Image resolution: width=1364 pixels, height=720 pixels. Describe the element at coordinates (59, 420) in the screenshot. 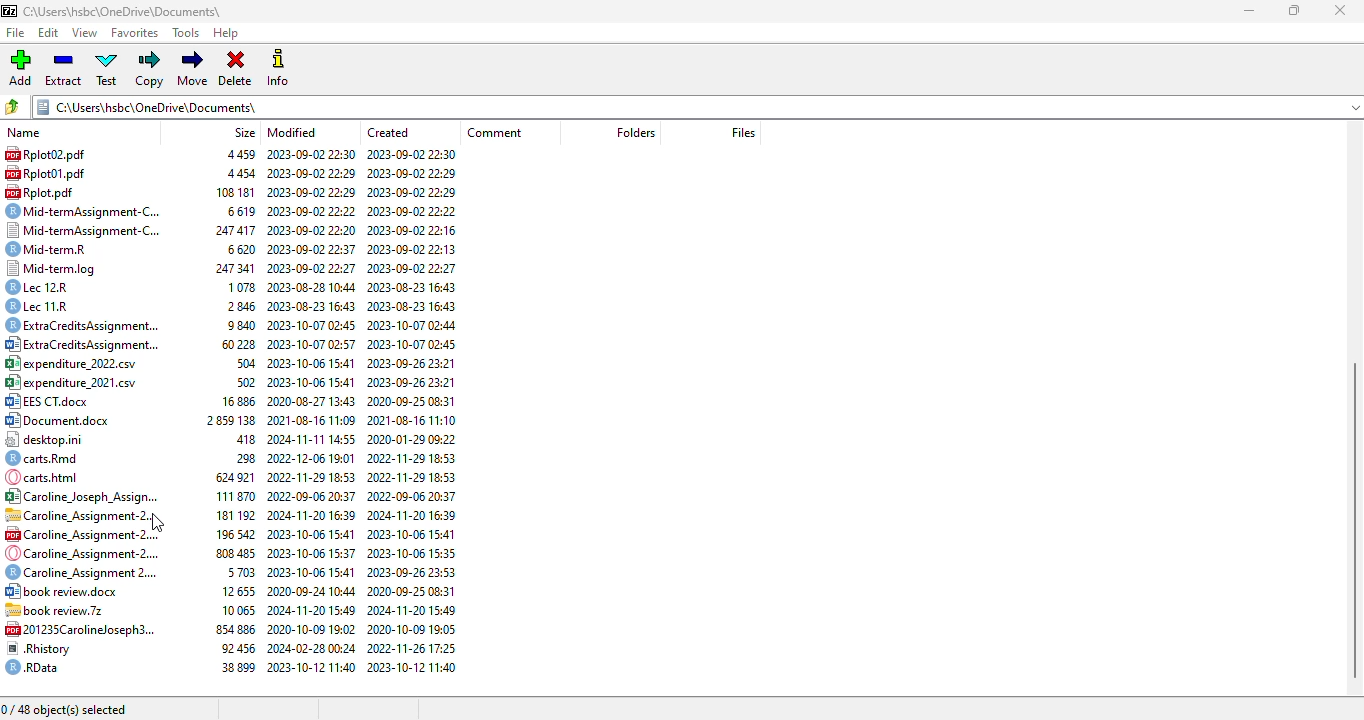

I see `document.docx` at that location.